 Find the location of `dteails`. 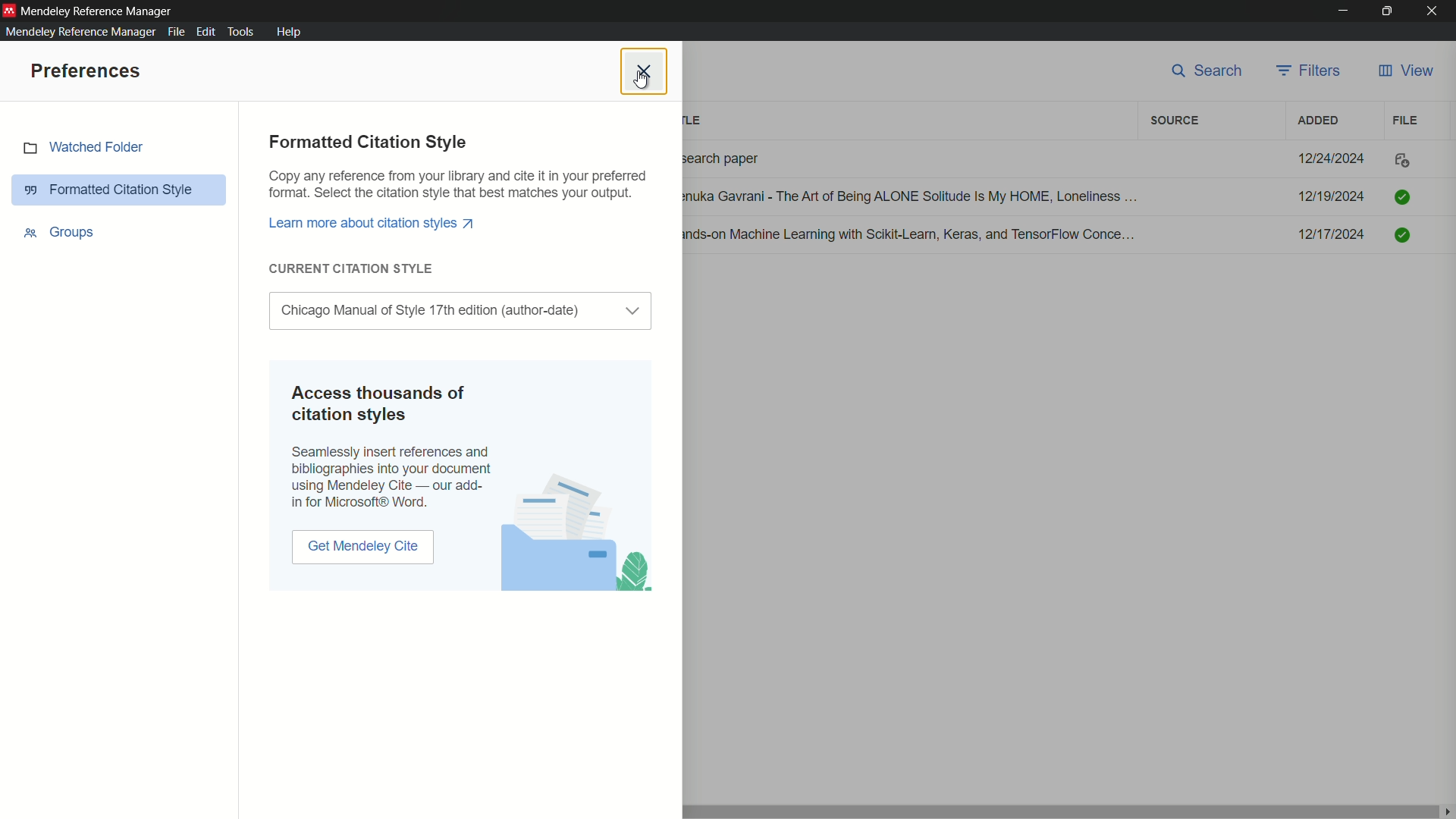

dteails is located at coordinates (1053, 199).